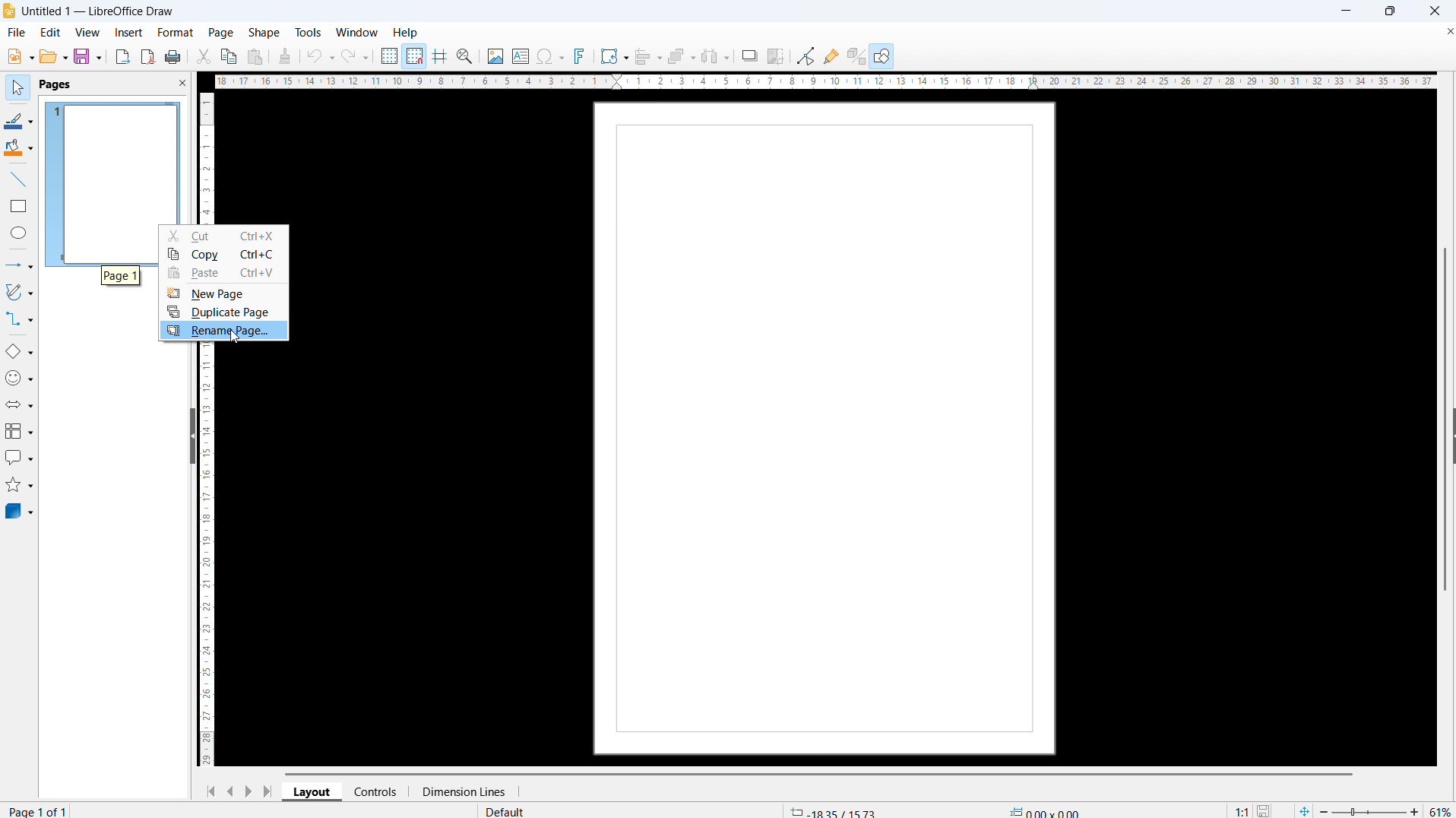 This screenshot has height=818, width=1456. I want to click on document title, so click(100, 12).